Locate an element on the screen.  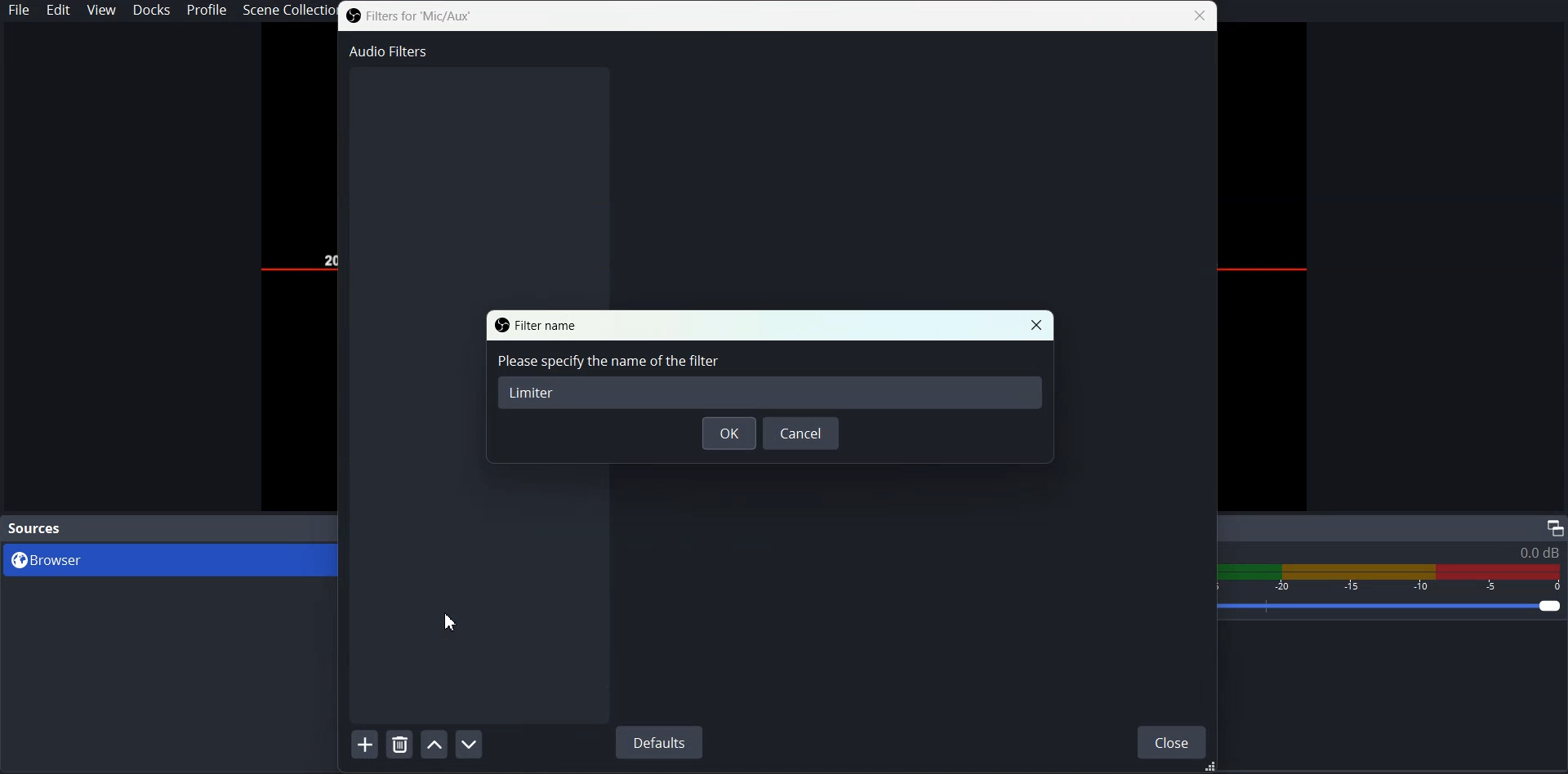
Maximize is located at coordinates (1554, 527).